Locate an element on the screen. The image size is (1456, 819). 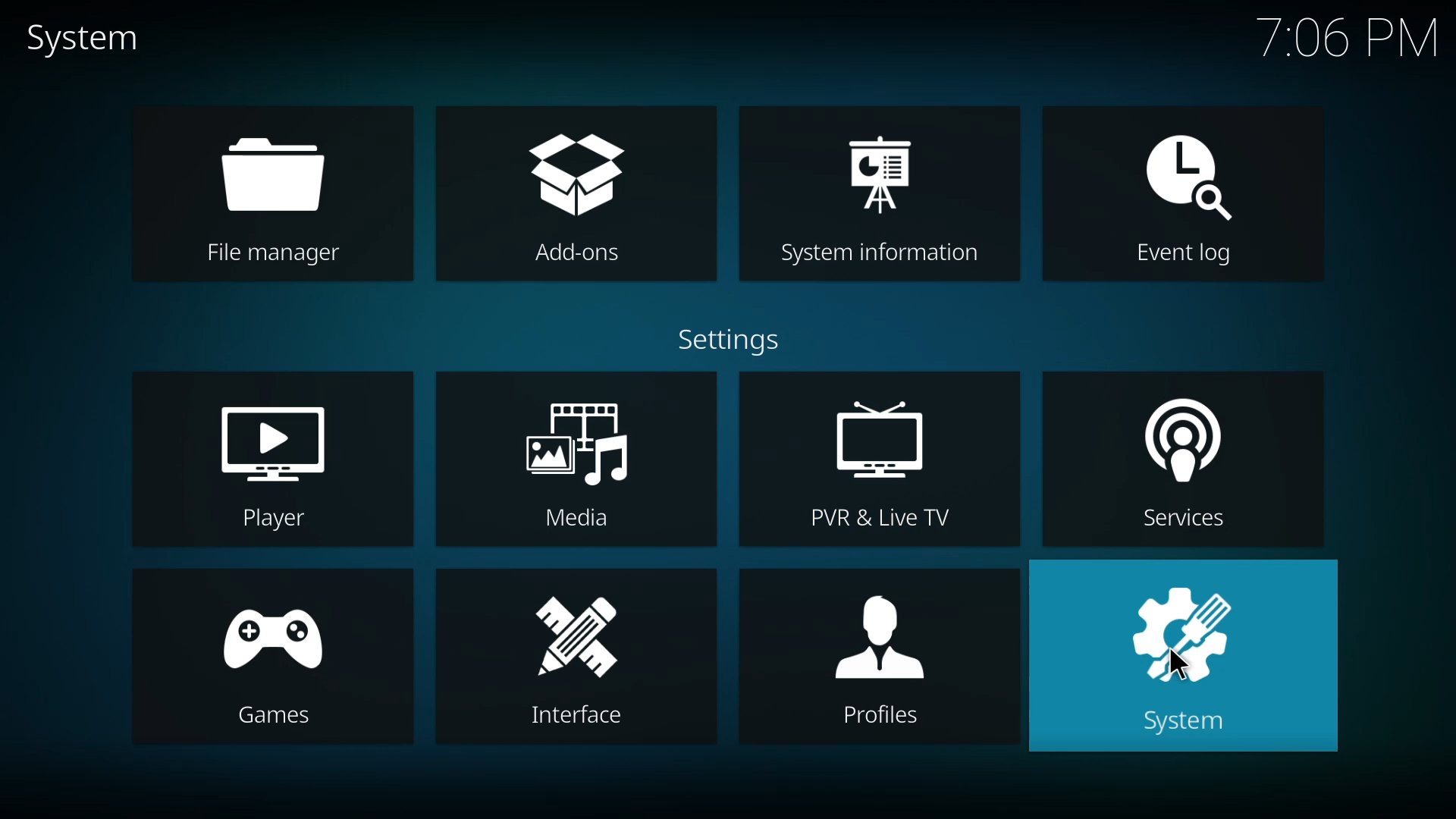
profiles is located at coordinates (874, 654).